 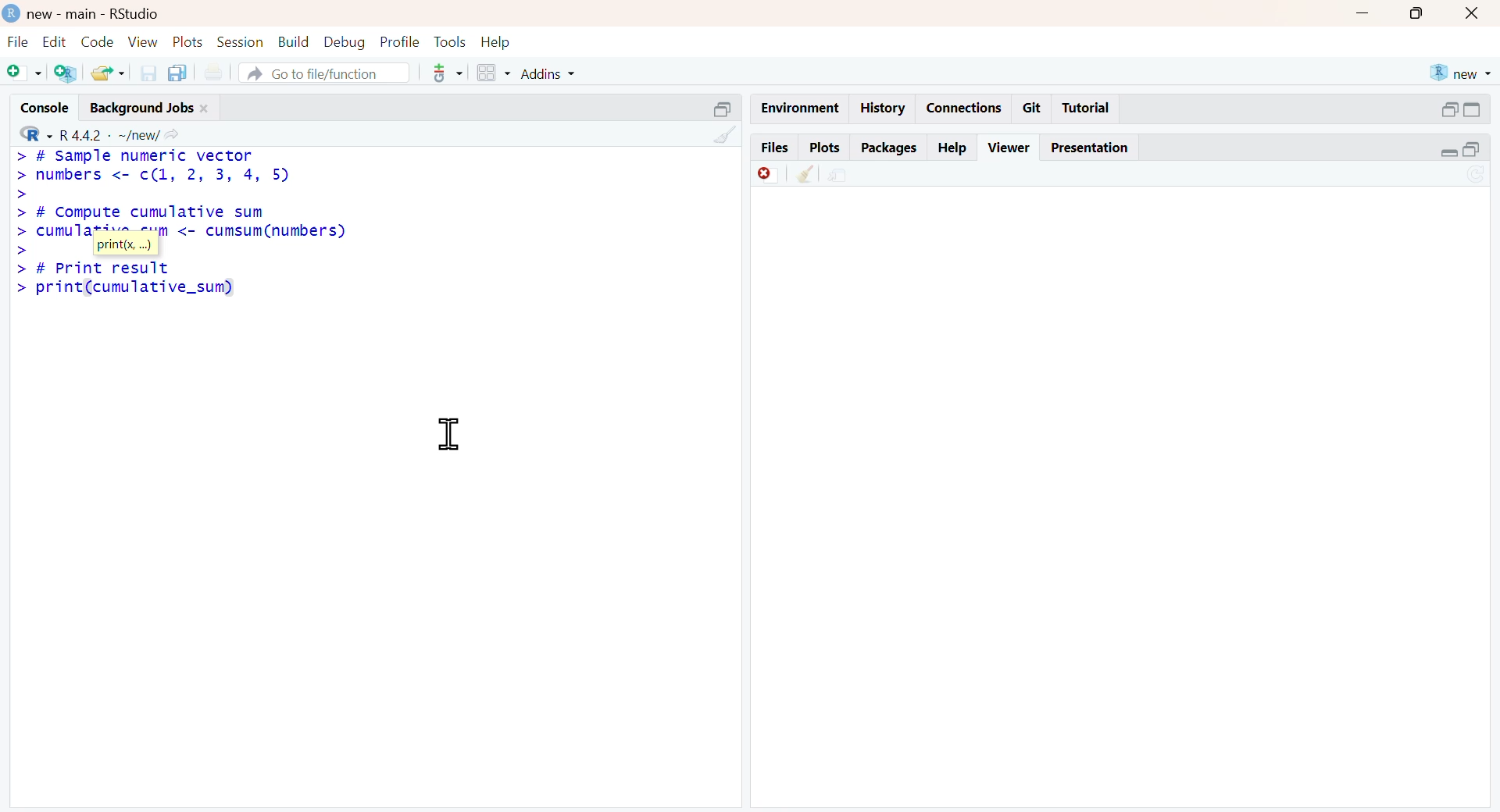 What do you see at coordinates (1011, 146) in the screenshot?
I see `Viewer` at bounding box center [1011, 146].